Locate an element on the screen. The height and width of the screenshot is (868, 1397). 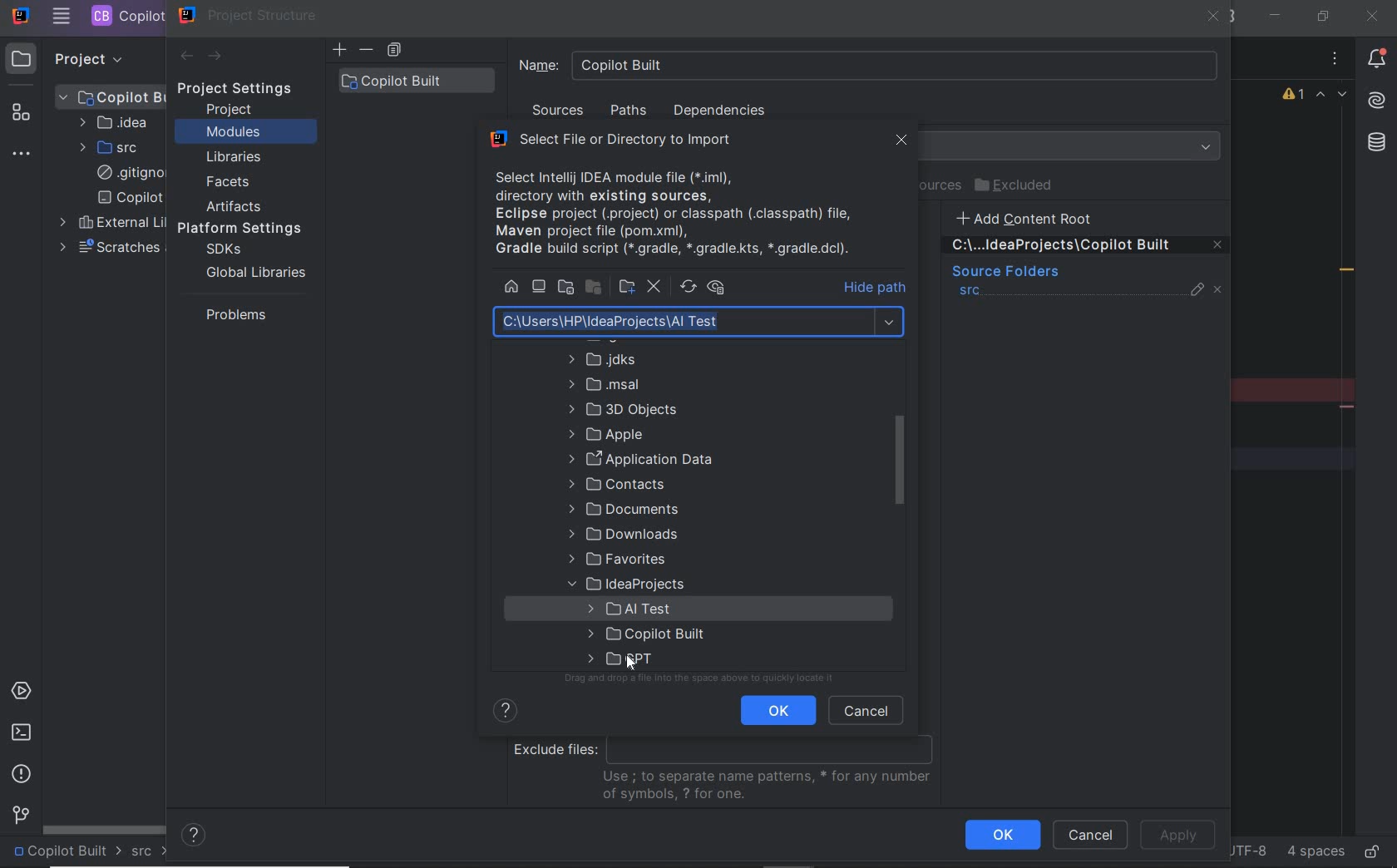
terminal is located at coordinates (21, 732).